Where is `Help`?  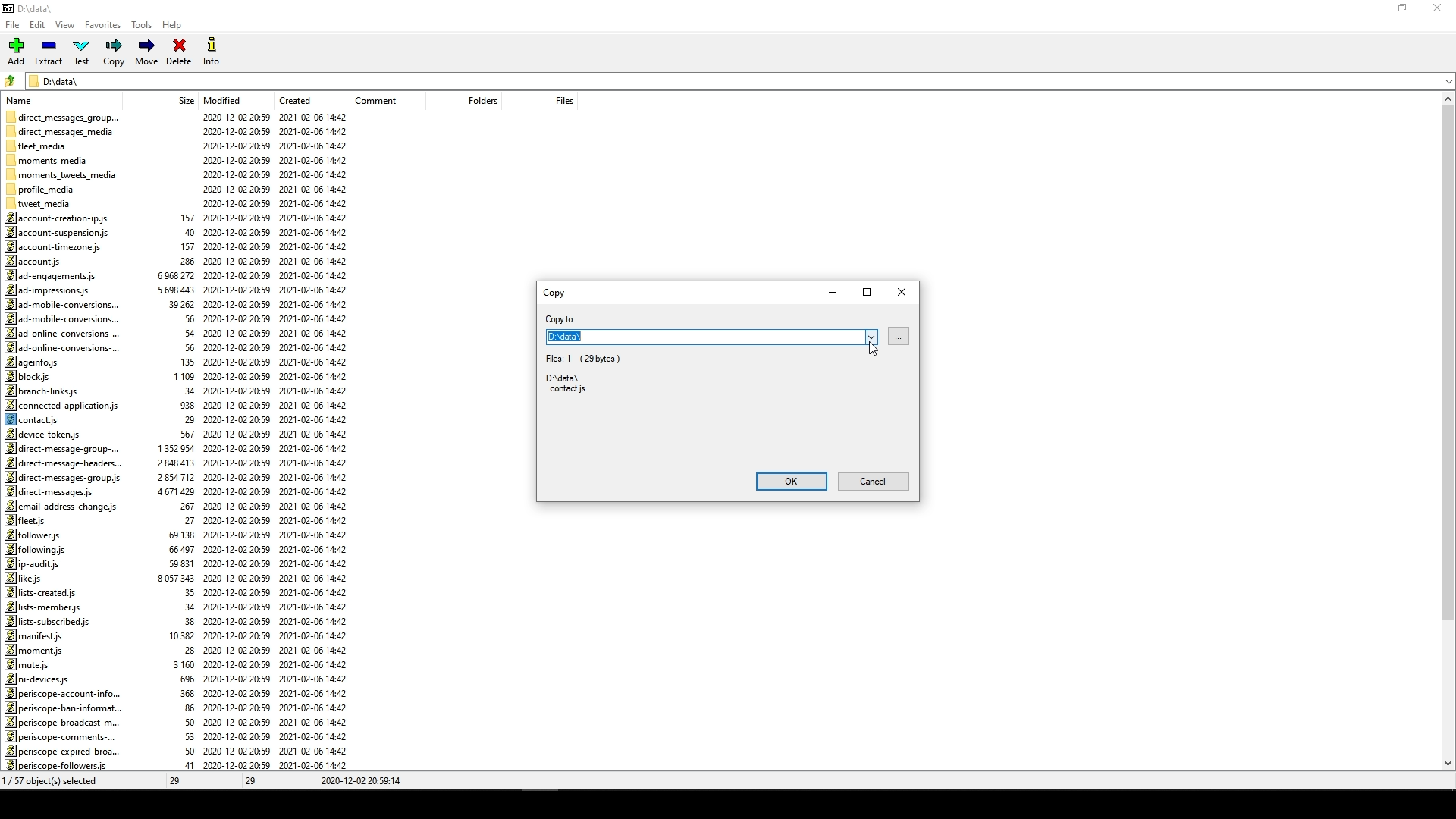 Help is located at coordinates (175, 27).